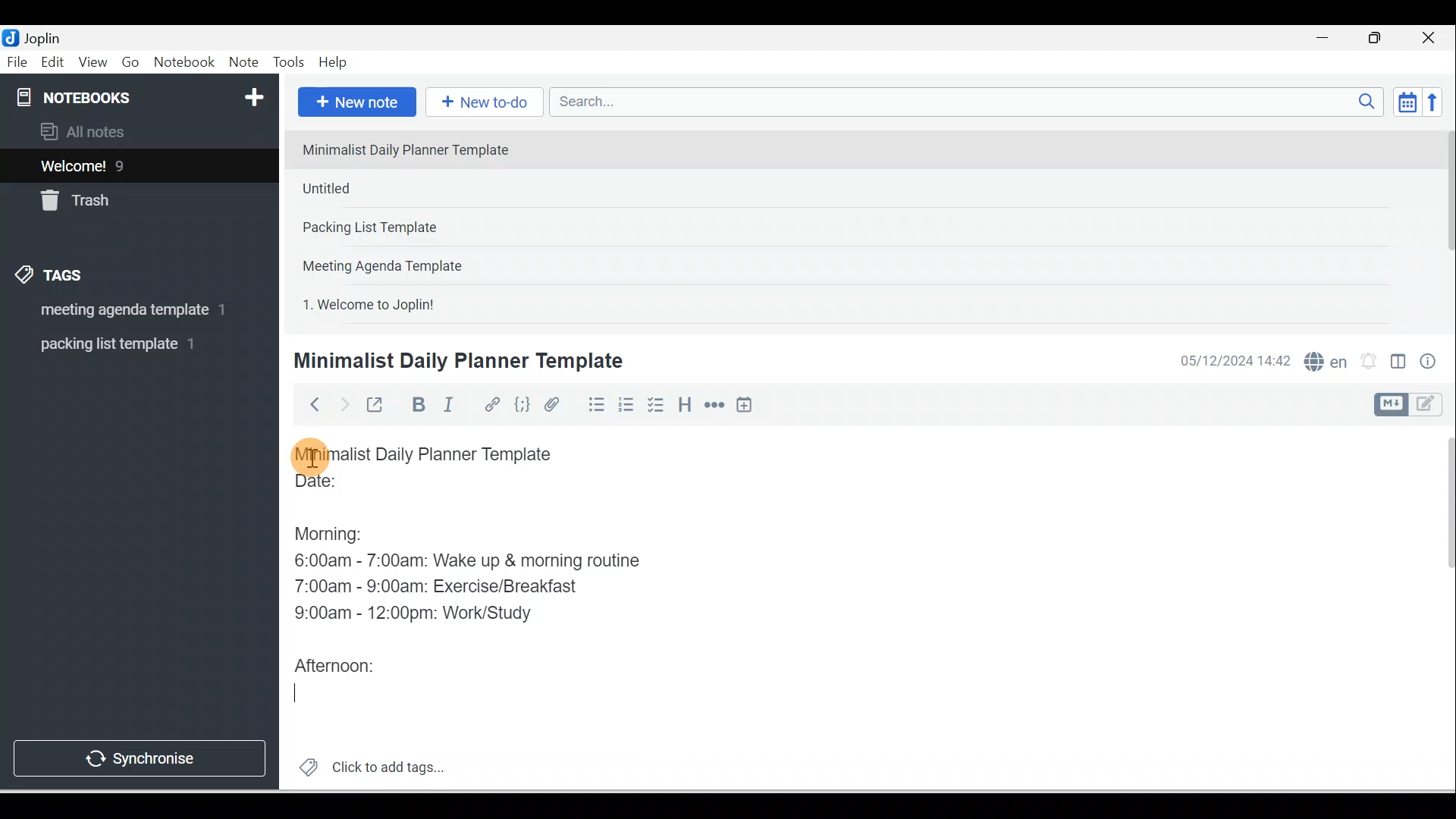 The width and height of the screenshot is (1456, 819). What do you see at coordinates (137, 131) in the screenshot?
I see `All notes` at bounding box center [137, 131].